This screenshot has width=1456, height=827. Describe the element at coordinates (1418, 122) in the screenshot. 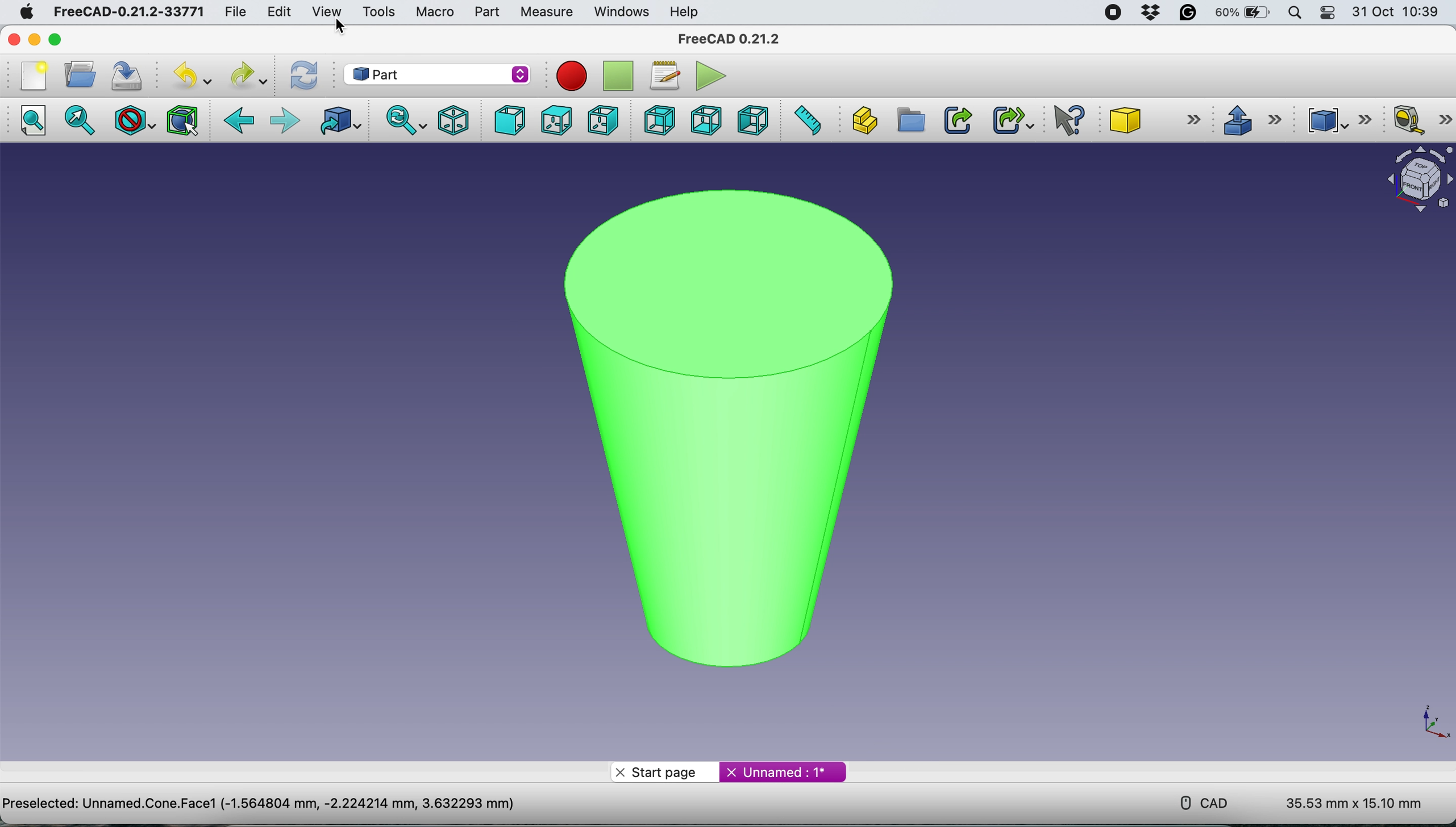

I see `mesure linear` at that location.